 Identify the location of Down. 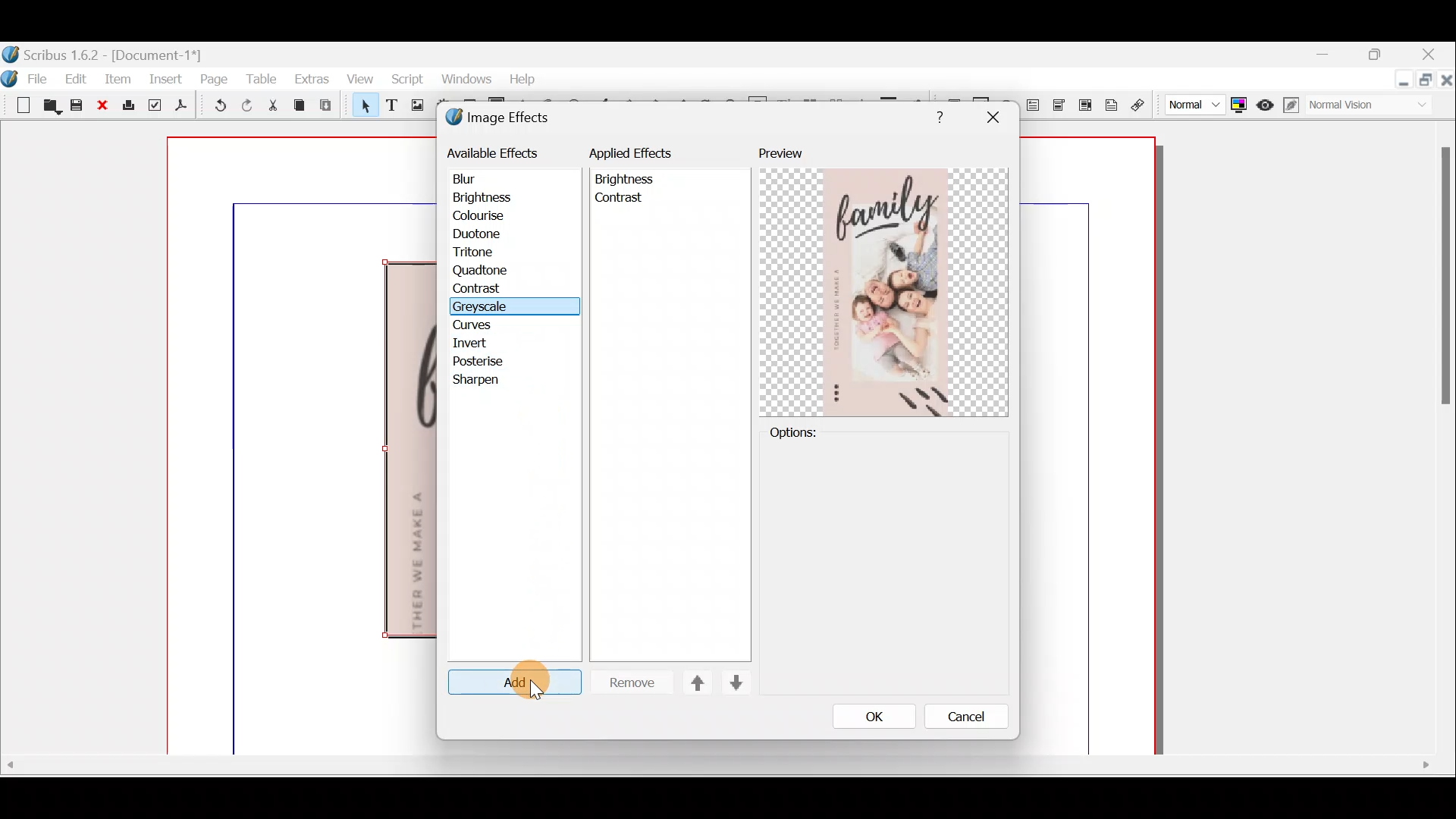
(737, 683).